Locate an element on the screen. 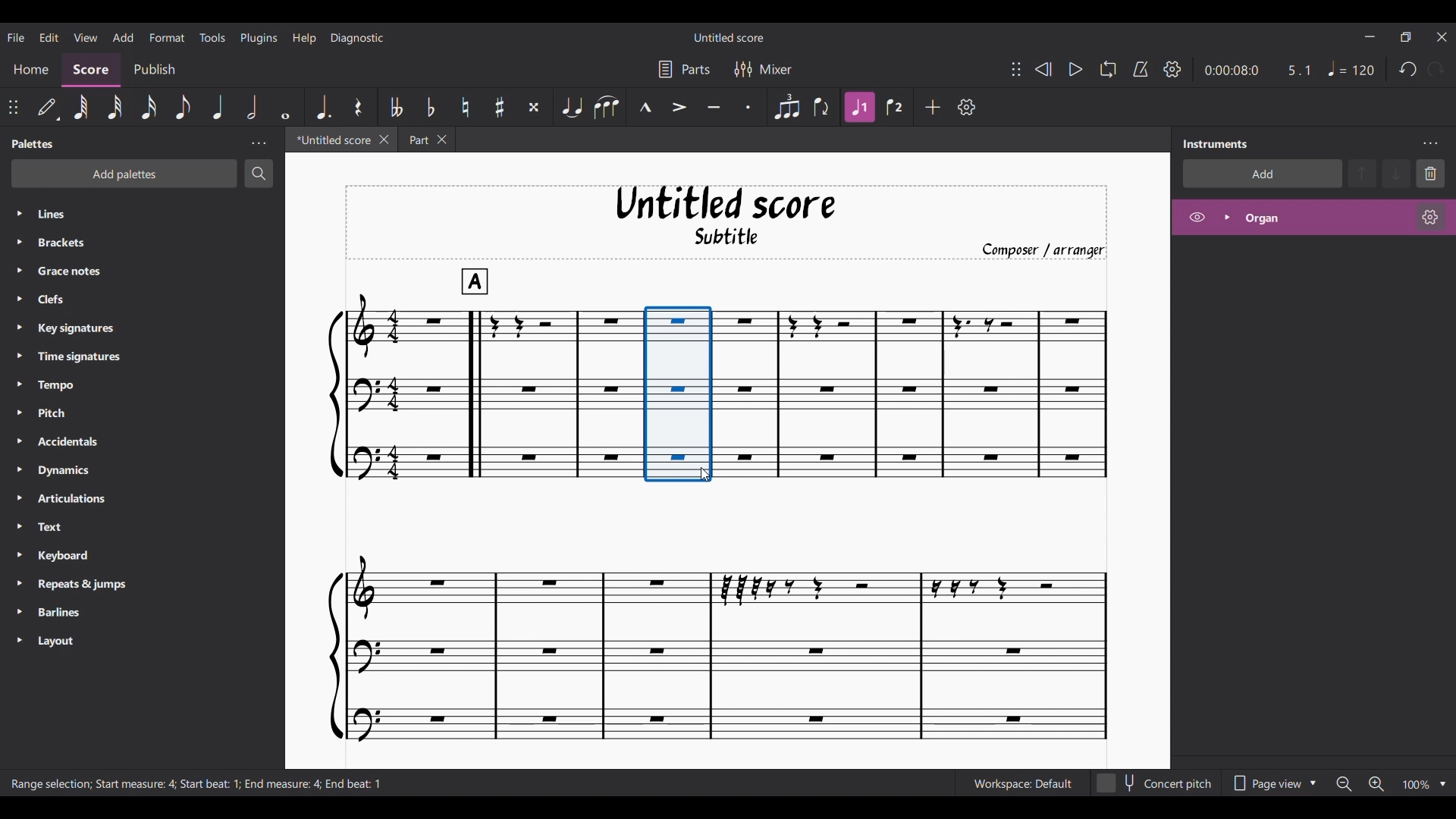  Zoom out is located at coordinates (1344, 784).